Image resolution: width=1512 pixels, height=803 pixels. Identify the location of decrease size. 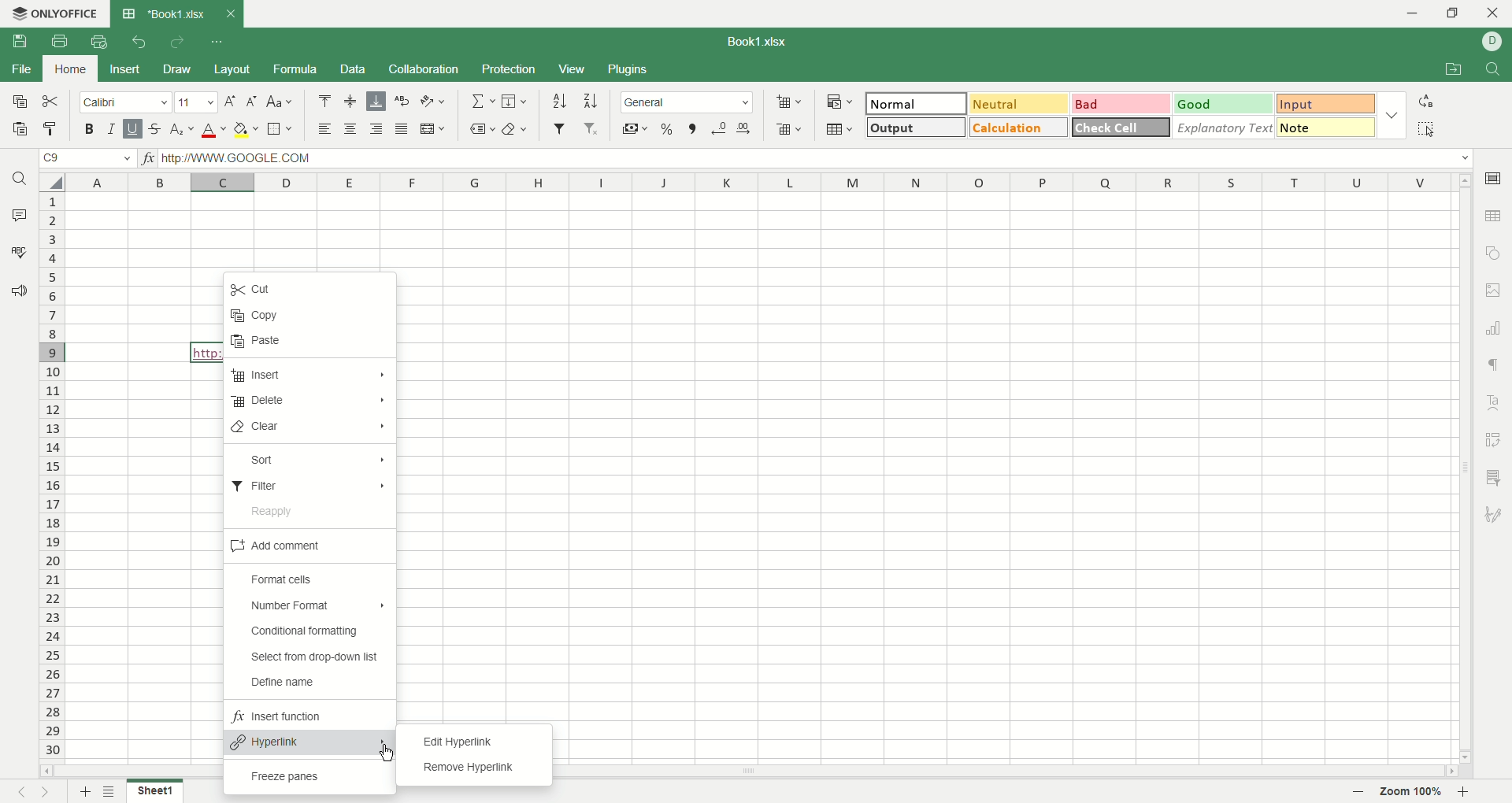
(254, 102).